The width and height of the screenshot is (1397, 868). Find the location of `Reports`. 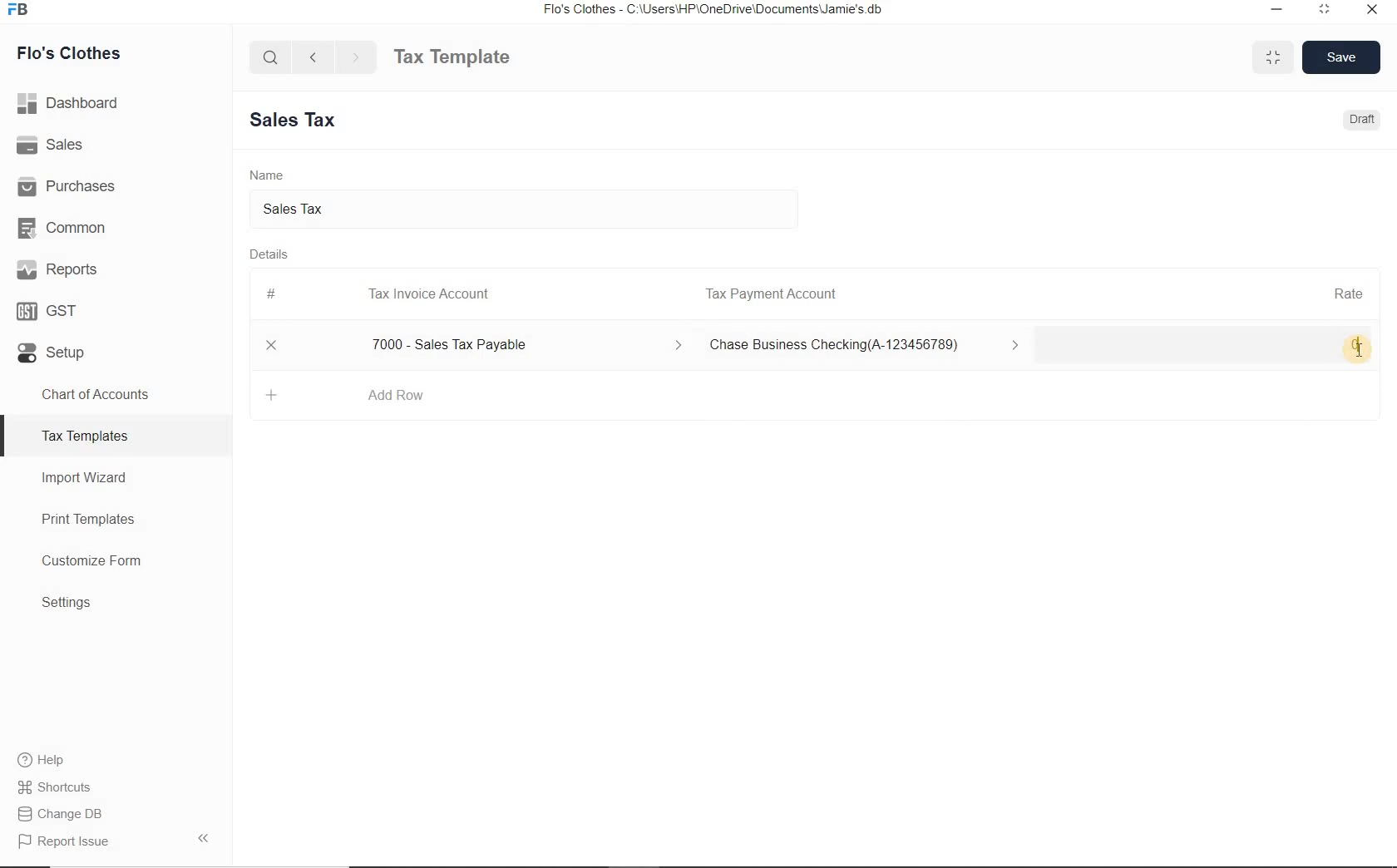

Reports is located at coordinates (116, 268).